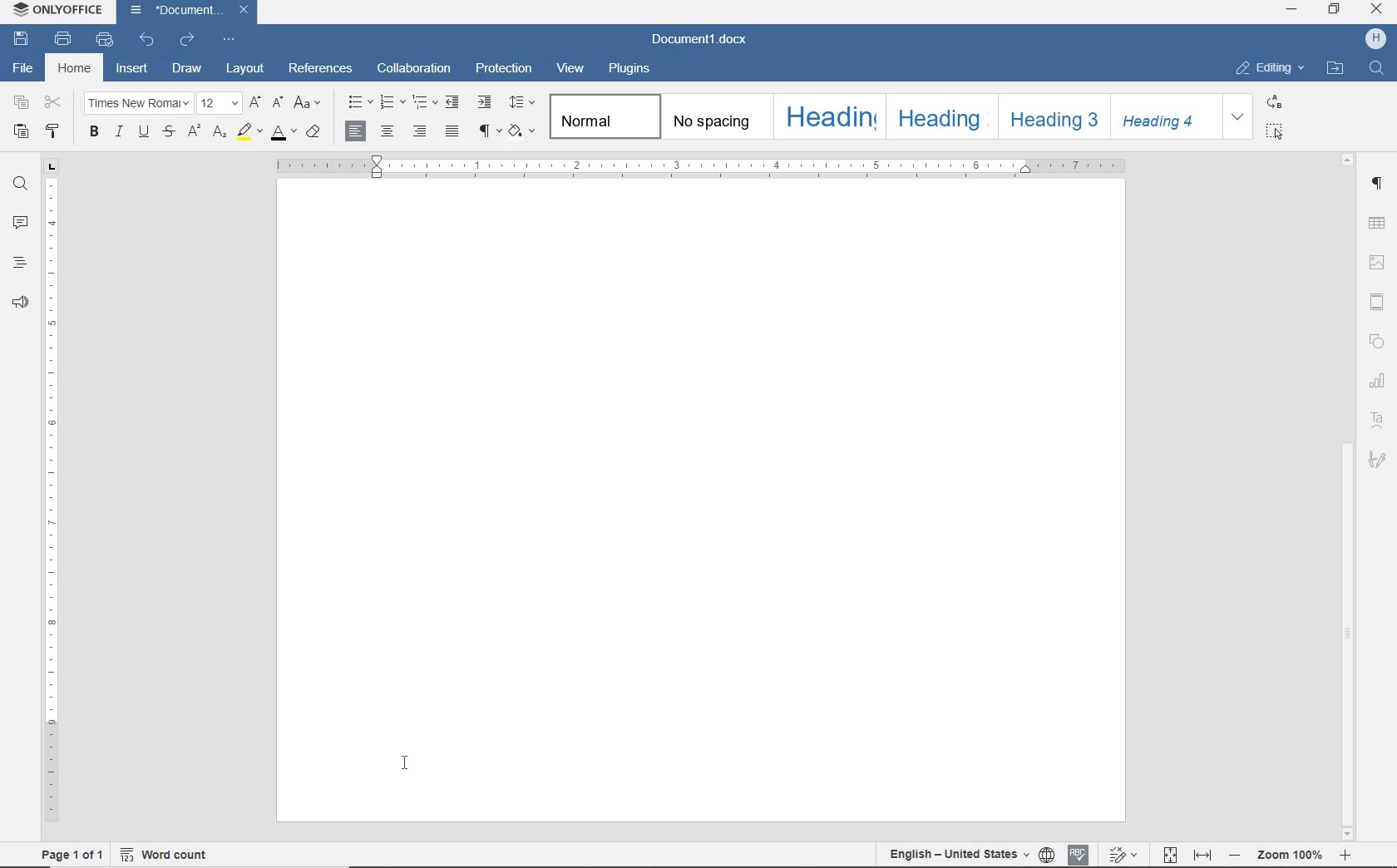  What do you see at coordinates (1061, 118) in the screenshot?
I see `Heading 3` at bounding box center [1061, 118].